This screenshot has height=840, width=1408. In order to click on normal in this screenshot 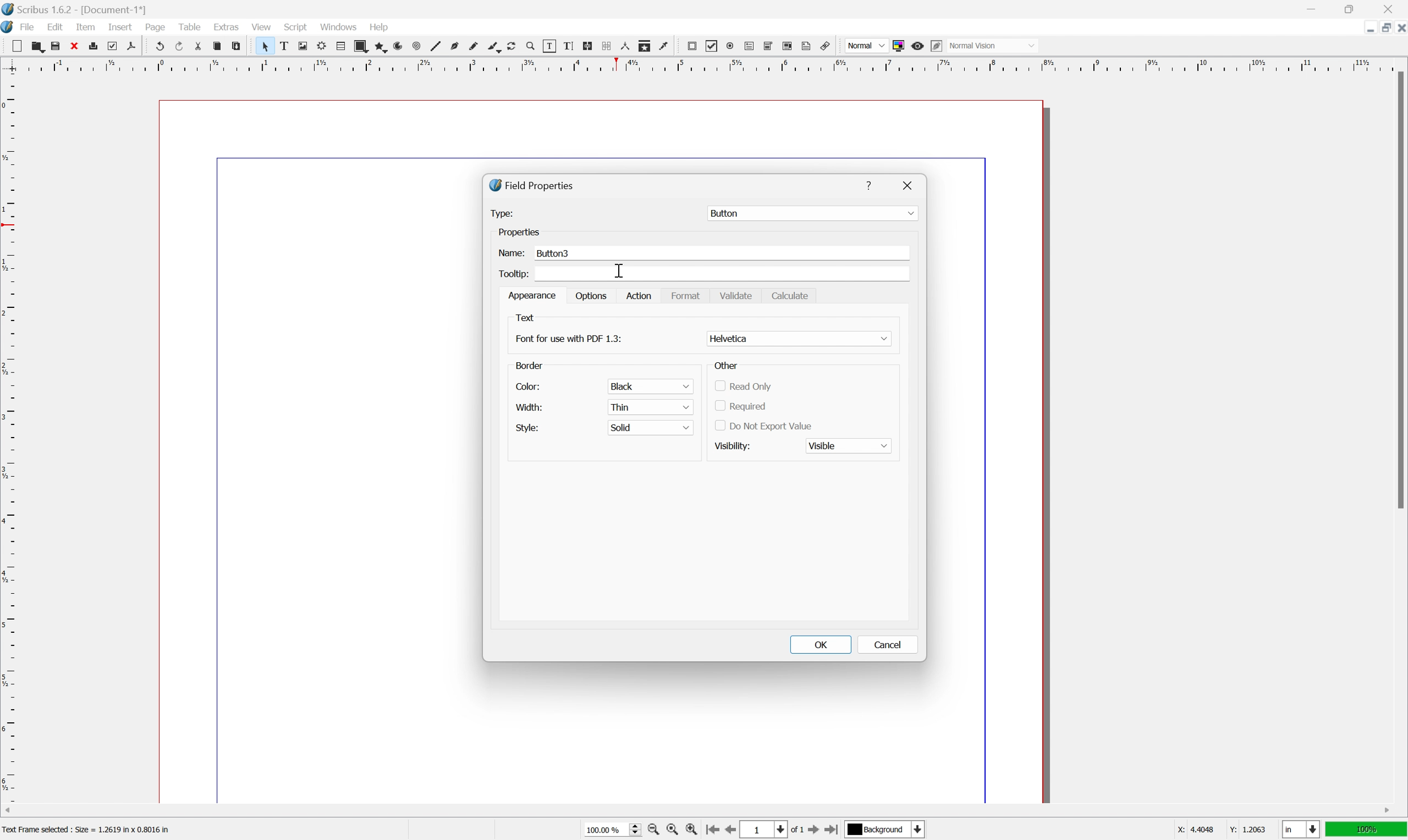, I will do `click(866, 45)`.